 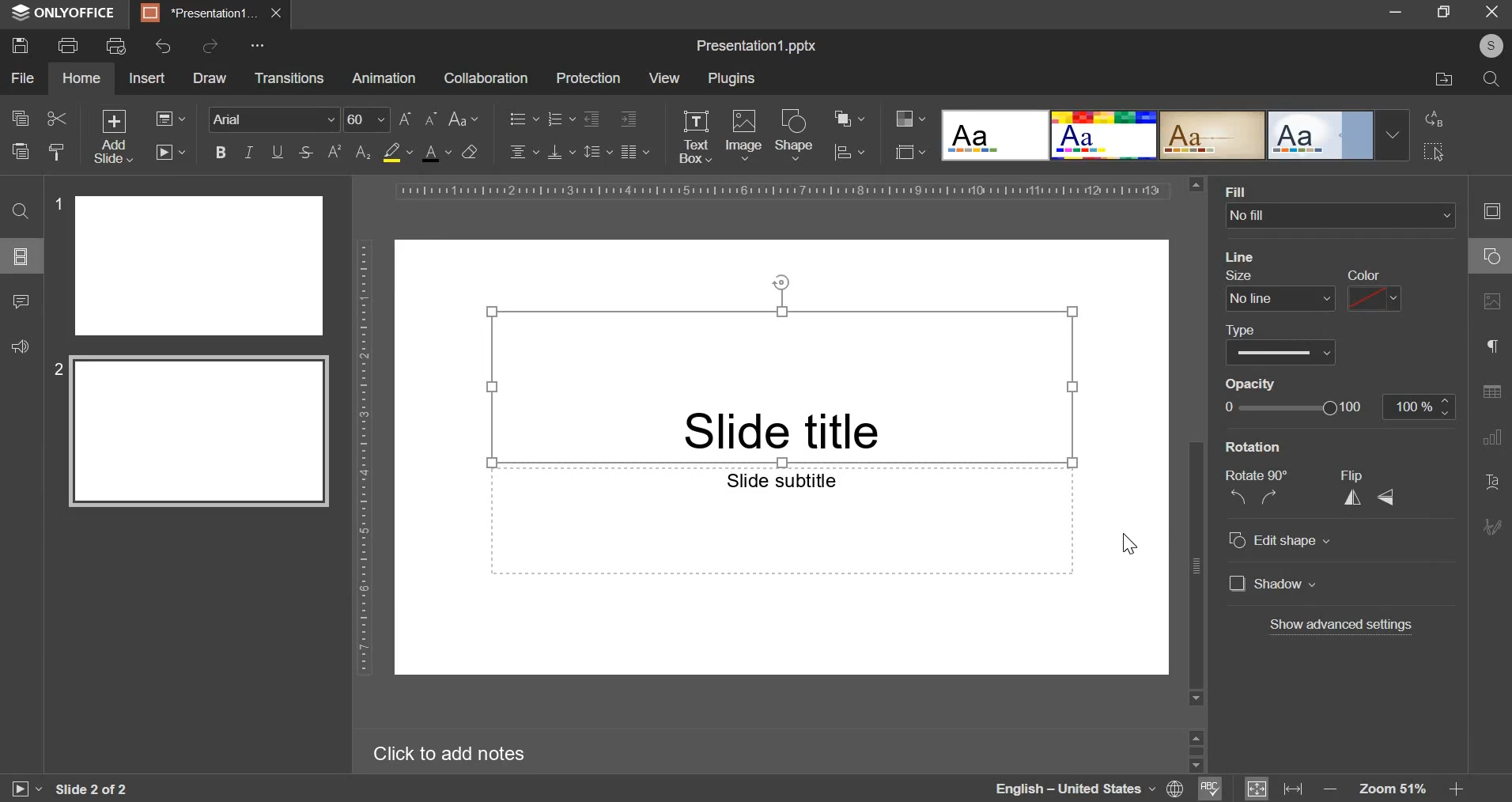 I want to click on strikethrough, so click(x=304, y=153).